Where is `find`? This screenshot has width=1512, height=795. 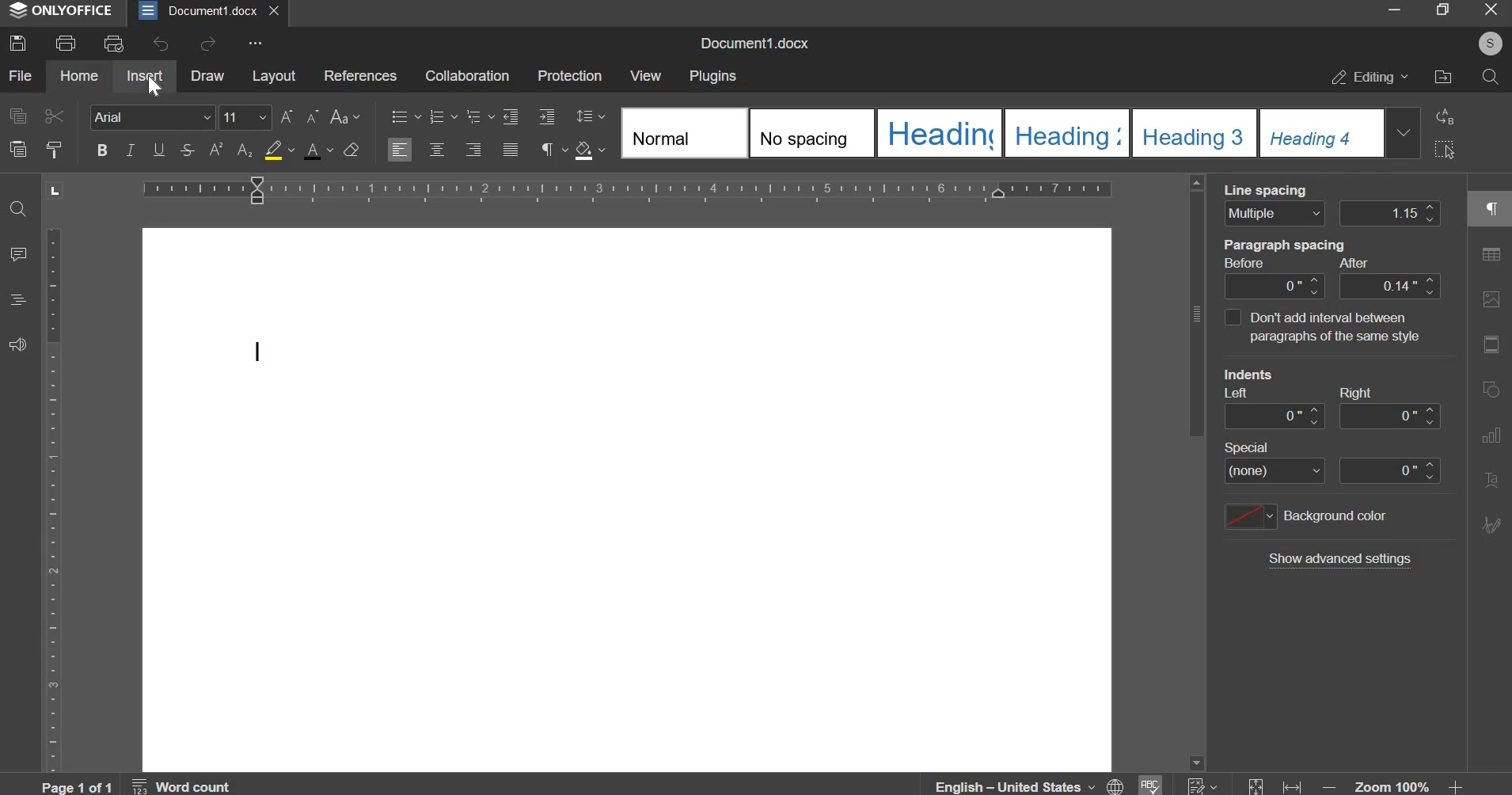 find is located at coordinates (17, 208).